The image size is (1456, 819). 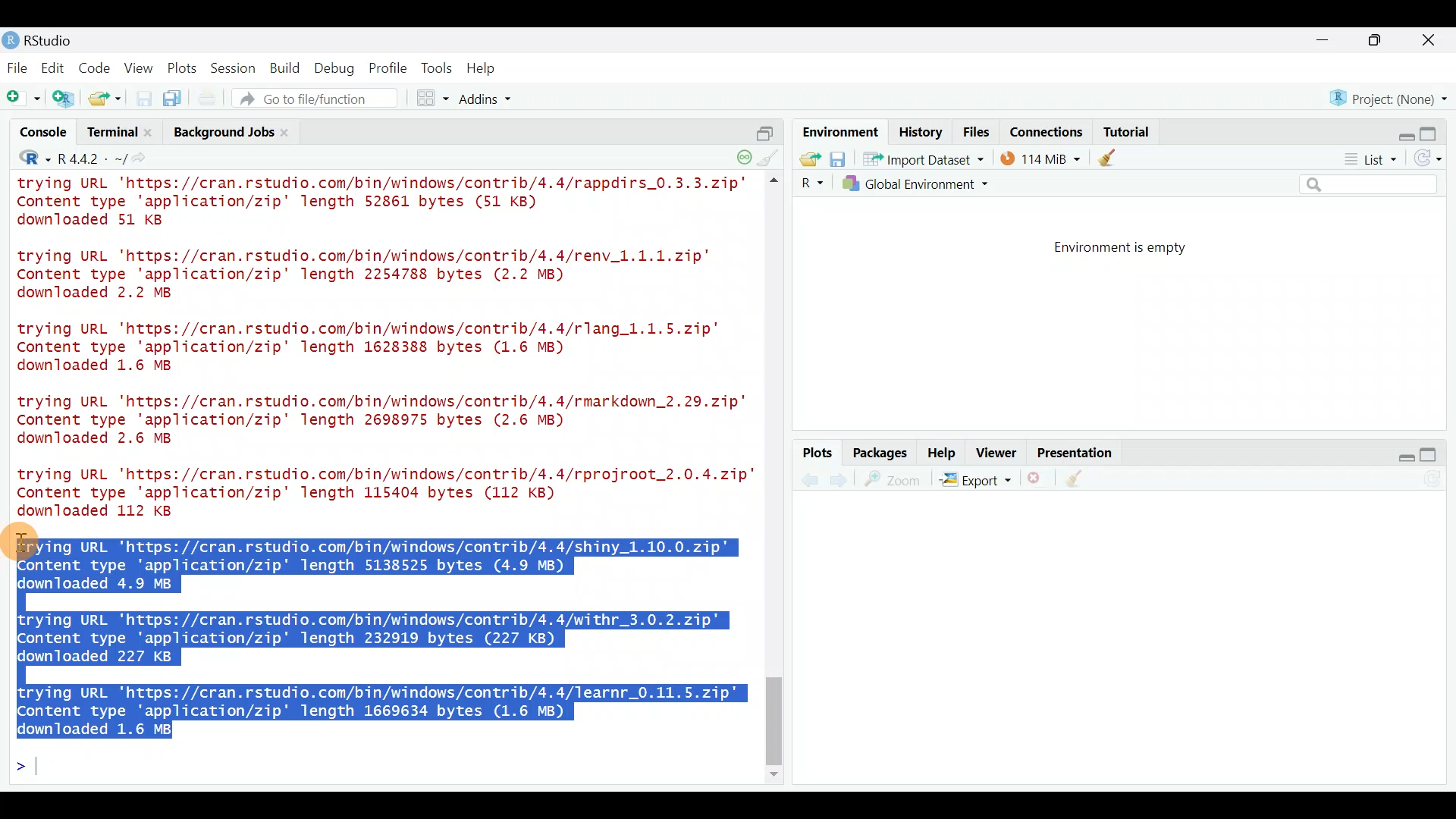 What do you see at coordinates (921, 131) in the screenshot?
I see `History` at bounding box center [921, 131].